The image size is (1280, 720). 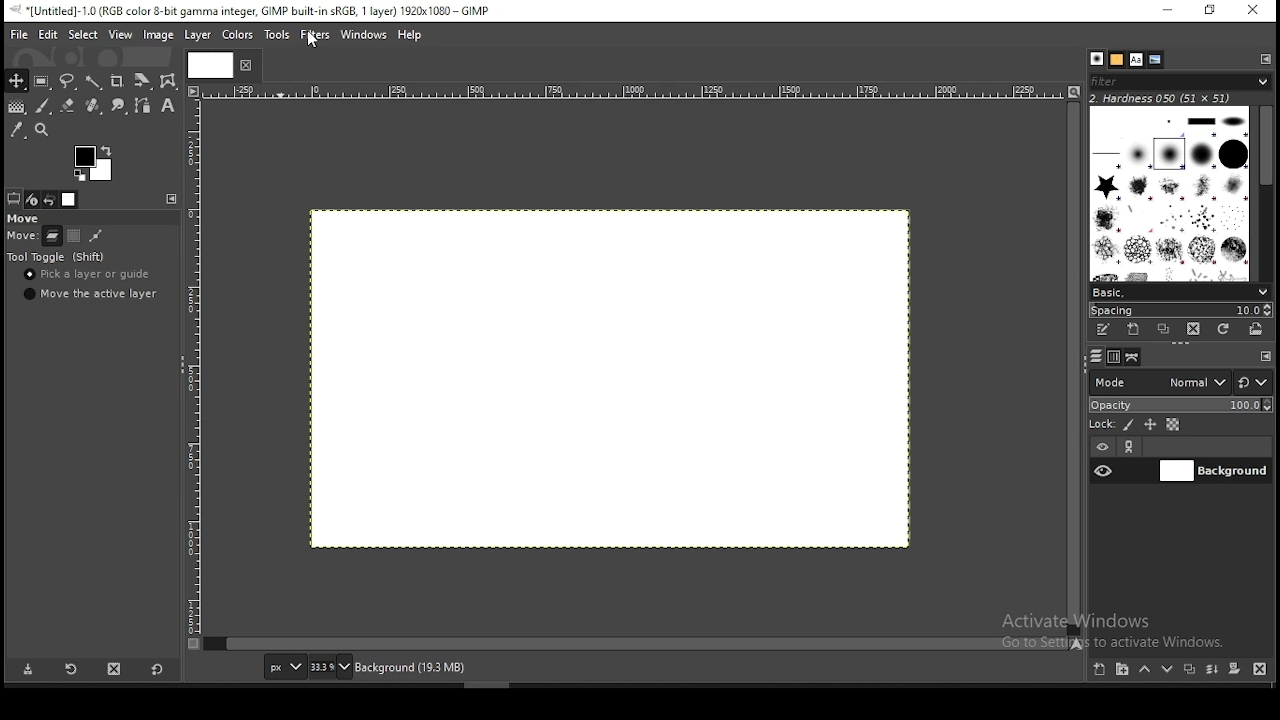 What do you see at coordinates (148, 104) in the screenshot?
I see `paths tool` at bounding box center [148, 104].